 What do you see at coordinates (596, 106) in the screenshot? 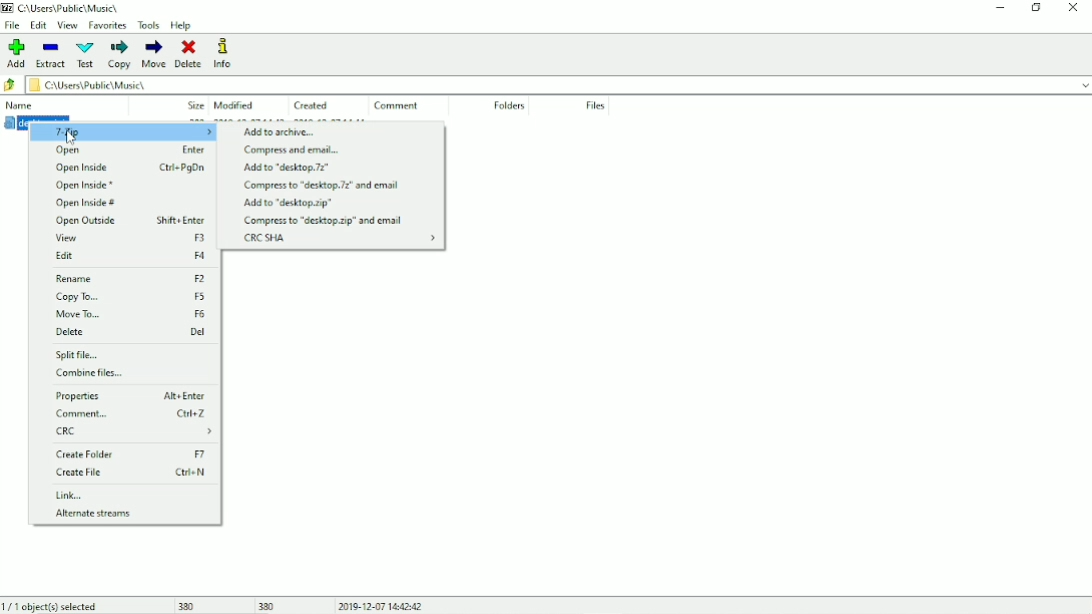
I see `File` at bounding box center [596, 106].